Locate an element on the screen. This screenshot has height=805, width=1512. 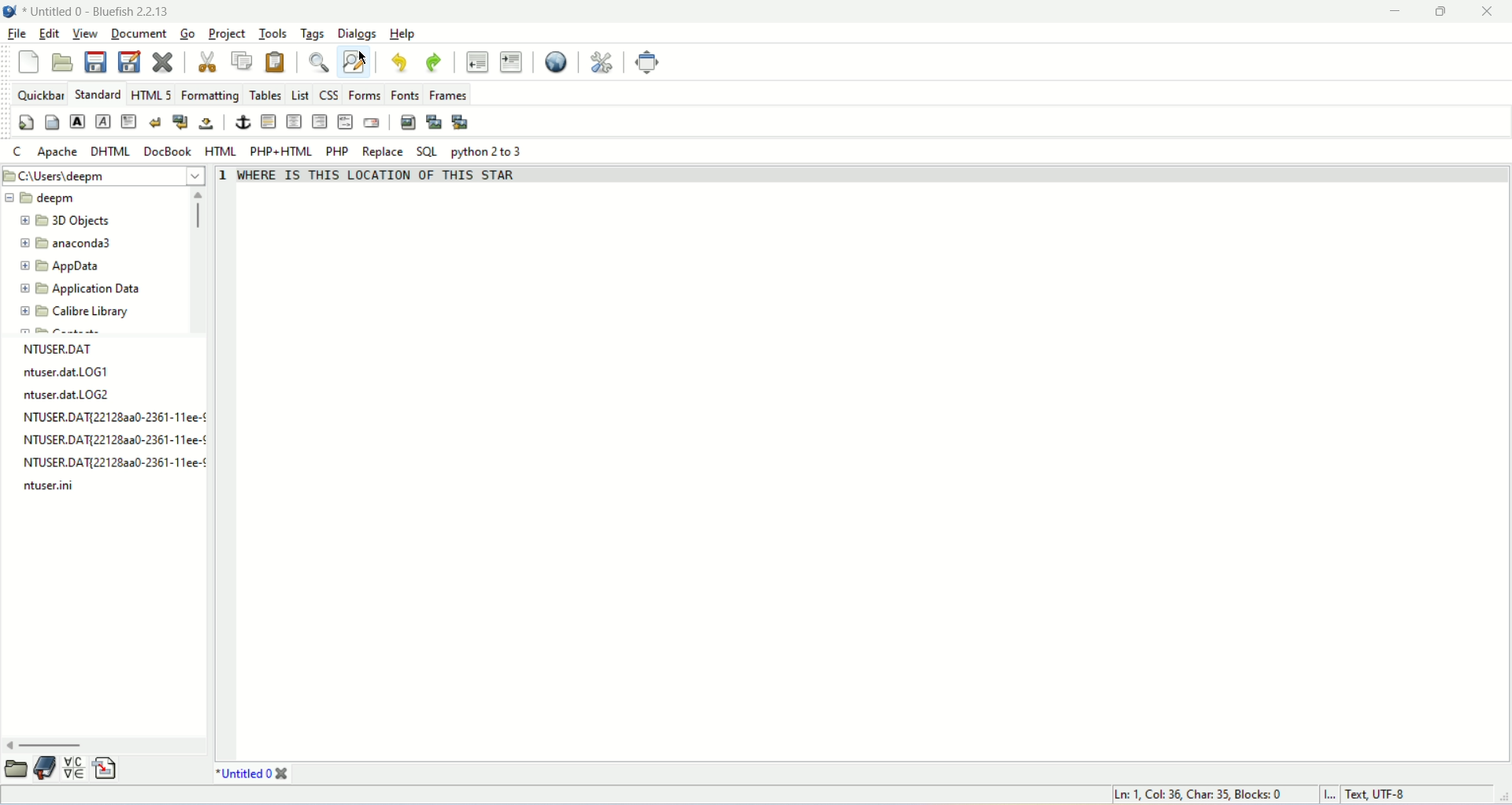
dialogs is located at coordinates (356, 33).